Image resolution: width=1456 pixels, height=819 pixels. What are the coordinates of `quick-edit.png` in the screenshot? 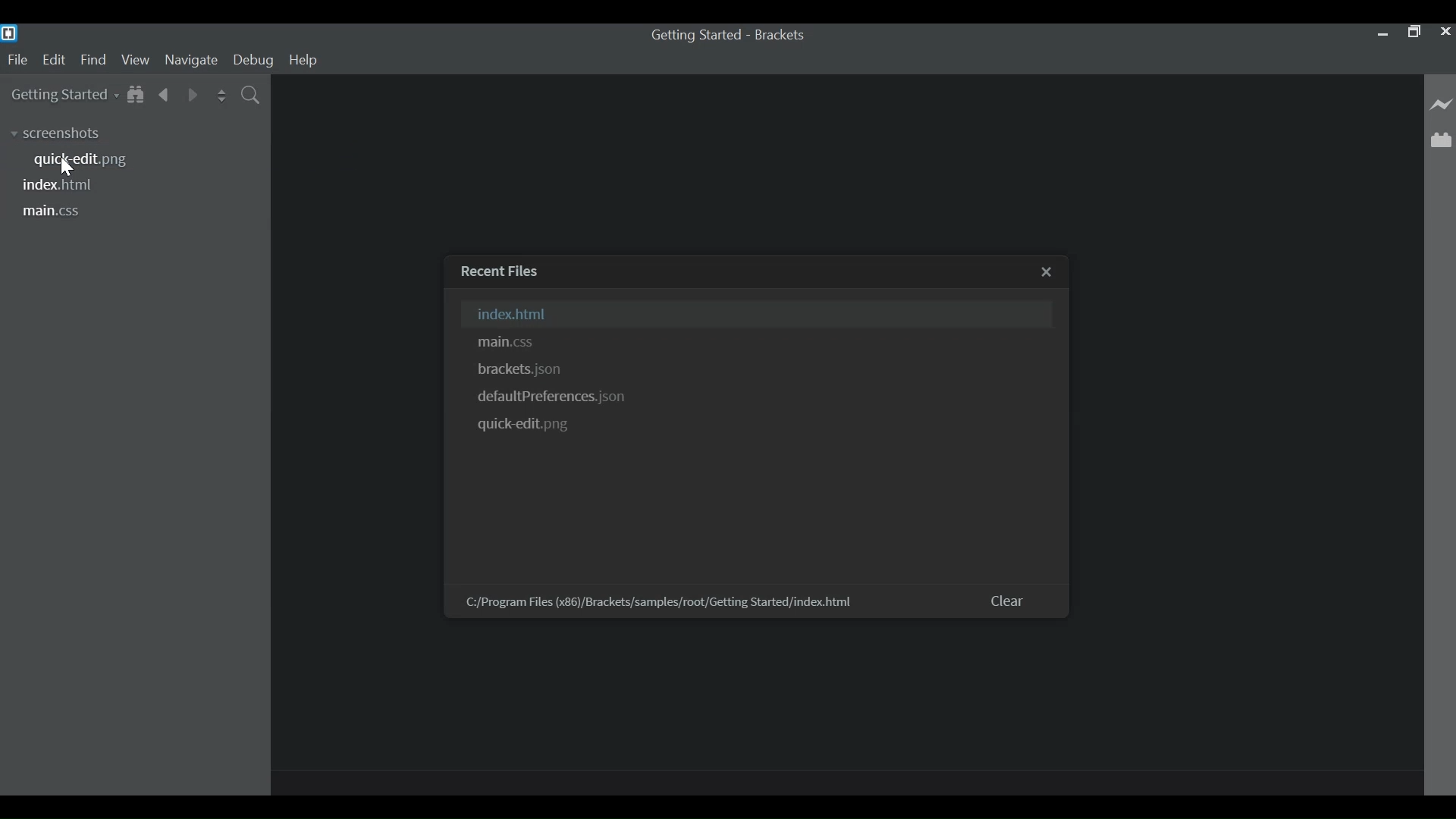 It's located at (529, 426).